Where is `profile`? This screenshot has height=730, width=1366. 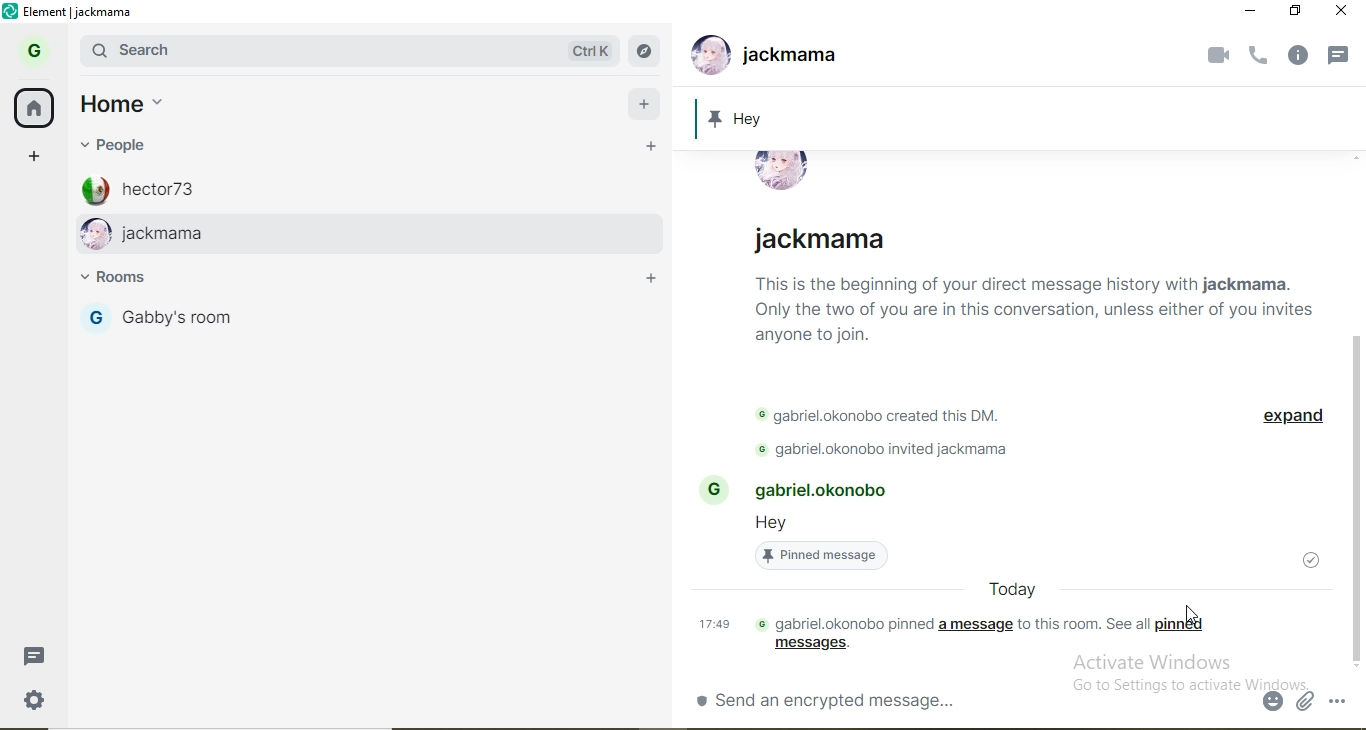
profile is located at coordinates (31, 55).